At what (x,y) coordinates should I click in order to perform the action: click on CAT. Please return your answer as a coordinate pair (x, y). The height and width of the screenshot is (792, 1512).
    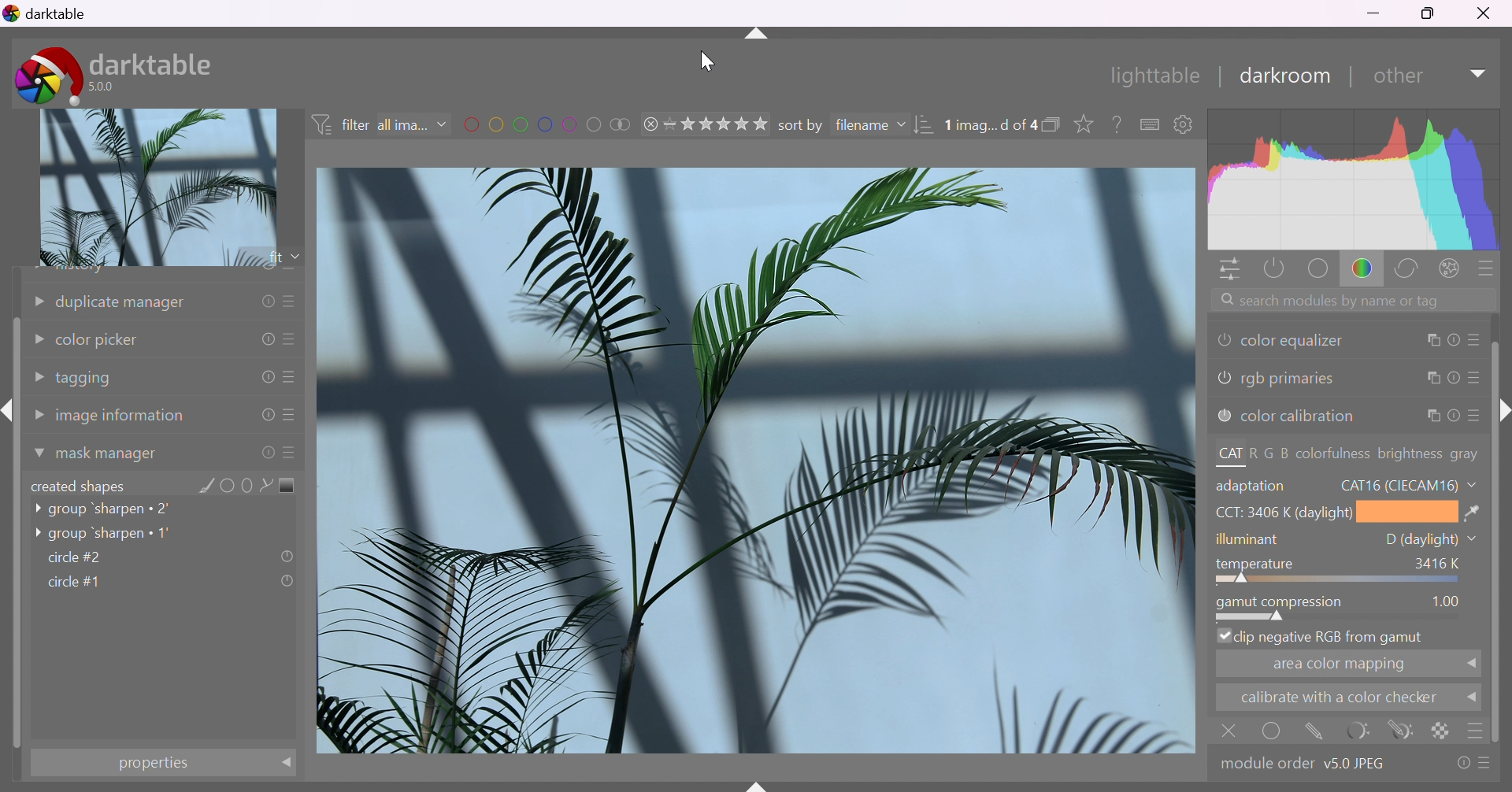
    Looking at the image, I should click on (1348, 455).